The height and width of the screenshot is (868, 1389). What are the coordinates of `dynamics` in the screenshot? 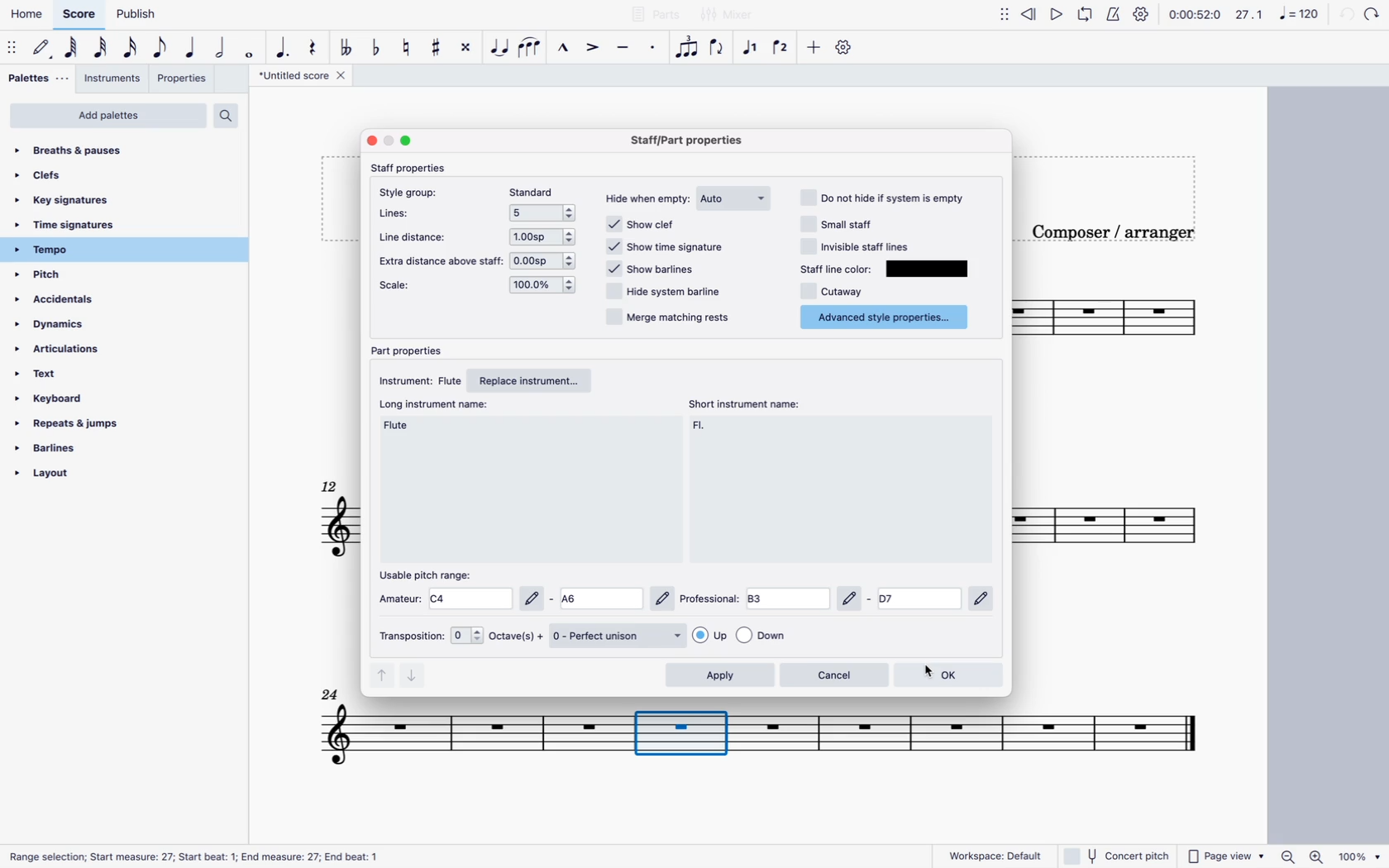 It's located at (60, 325).